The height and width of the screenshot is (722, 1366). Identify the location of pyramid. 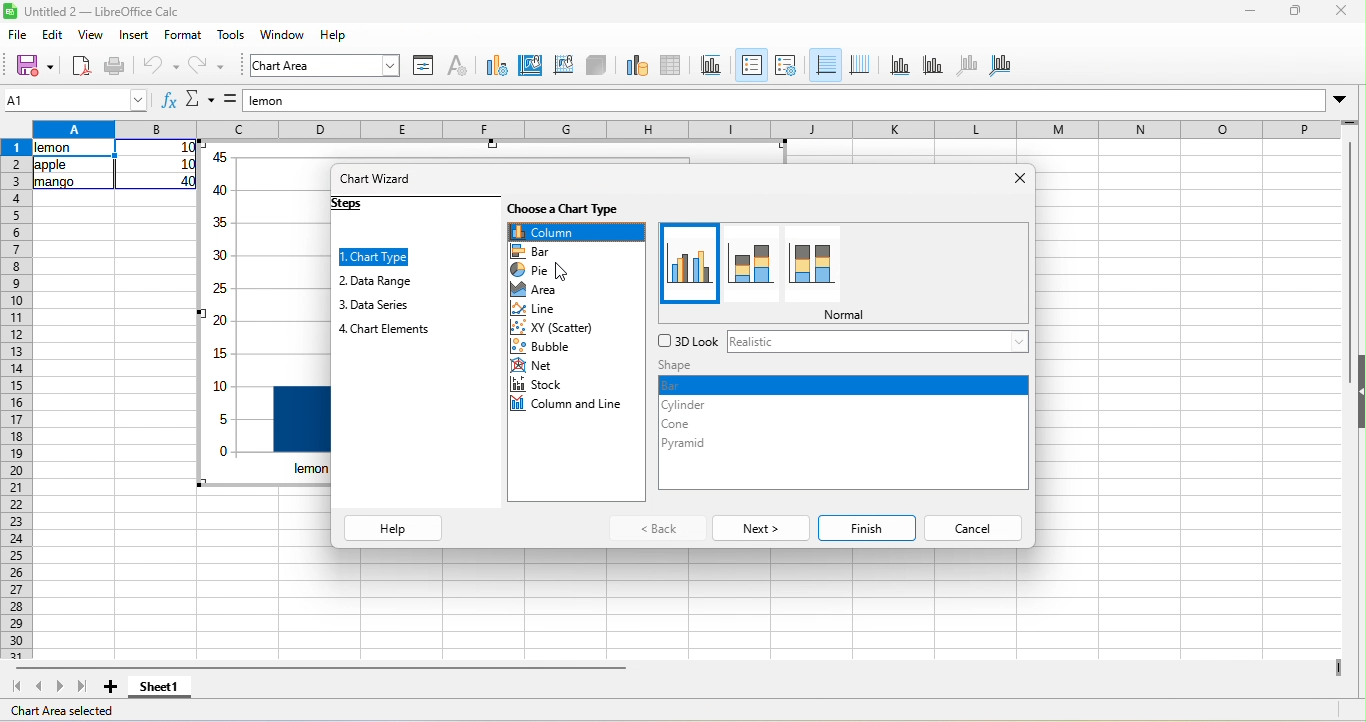
(690, 445).